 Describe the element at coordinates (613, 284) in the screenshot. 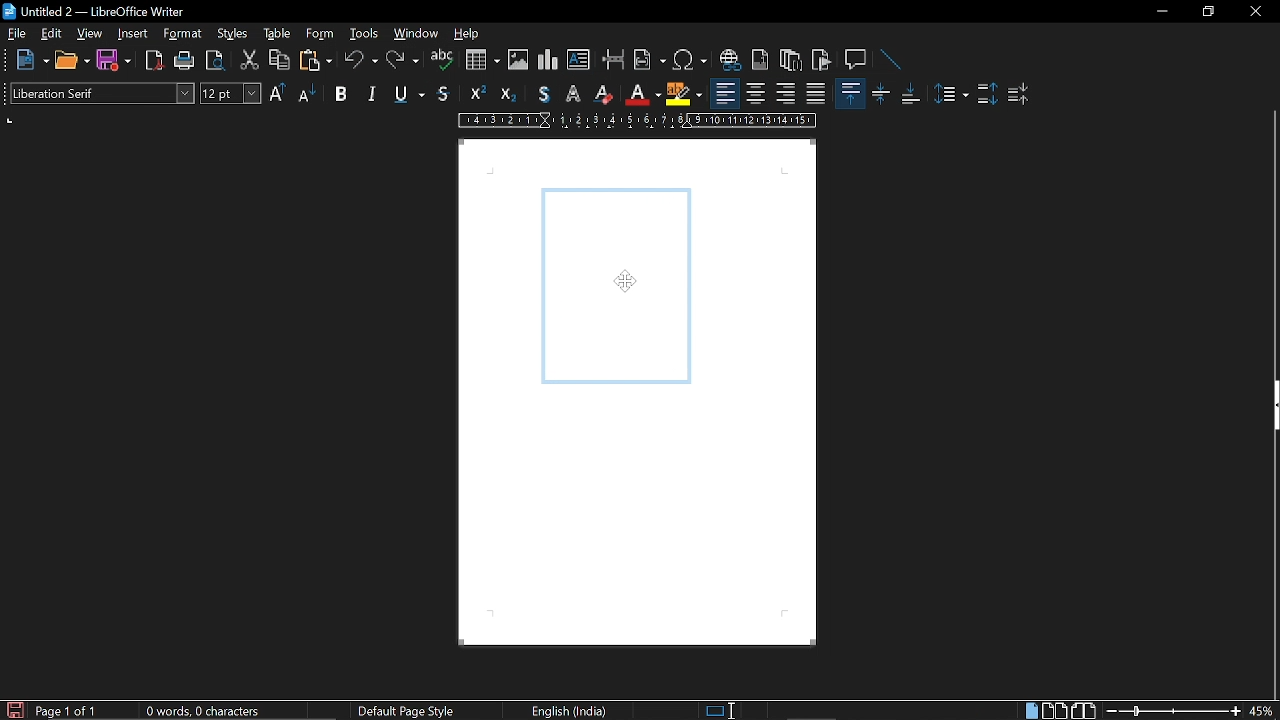

I see `shape` at that location.